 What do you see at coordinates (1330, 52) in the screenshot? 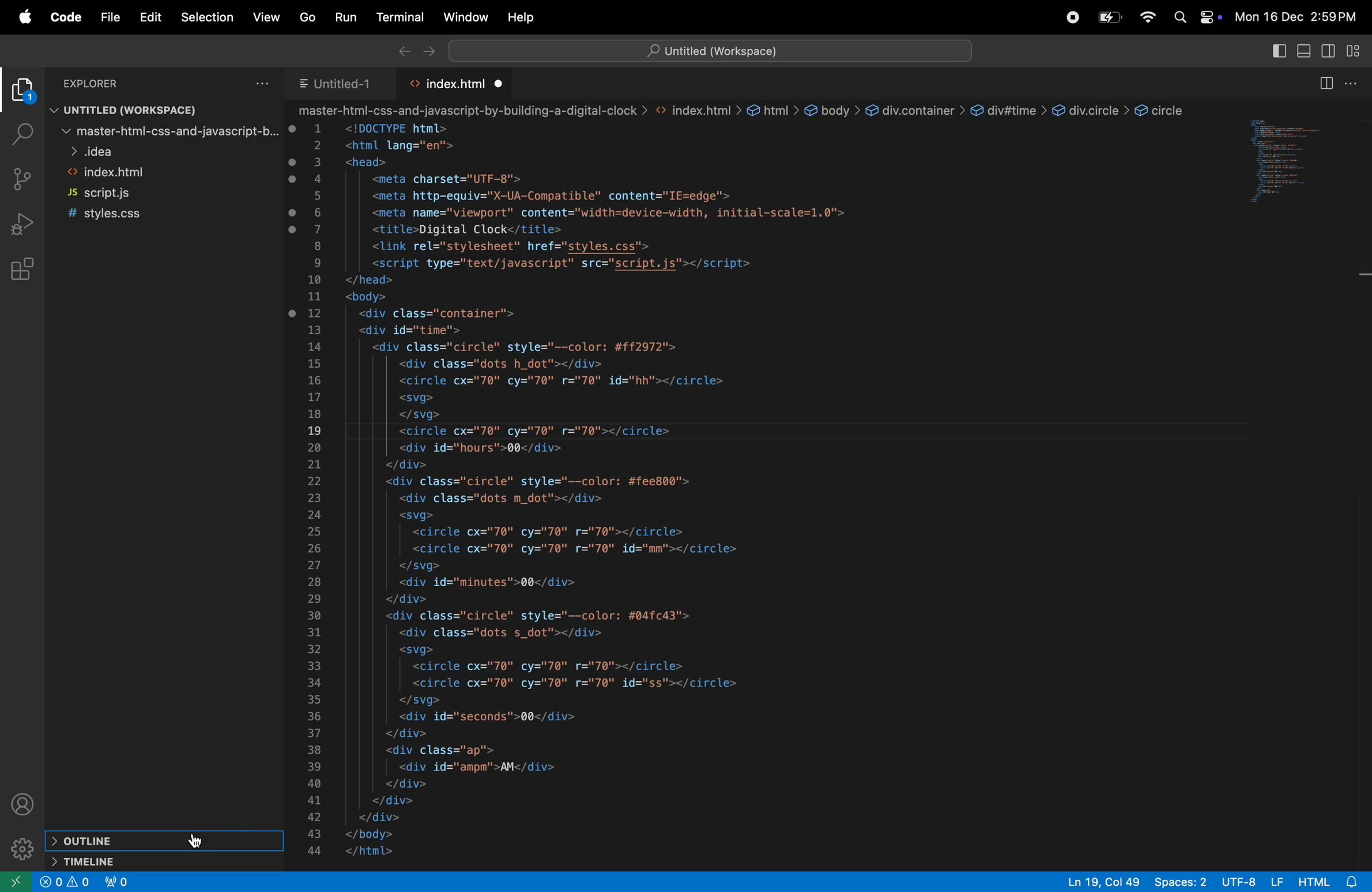
I see `toggle secondary side bar` at bounding box center [1330, 52].